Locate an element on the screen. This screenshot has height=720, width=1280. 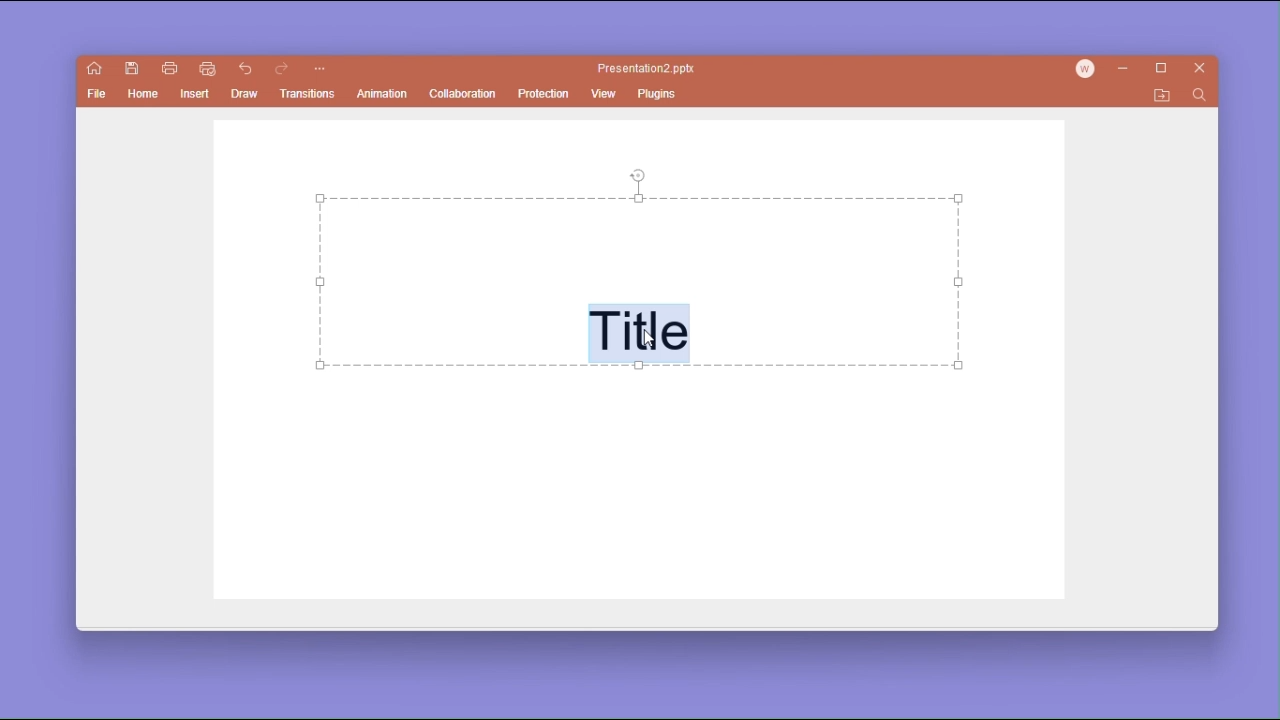
transitions is located at coordinates (311, 94).